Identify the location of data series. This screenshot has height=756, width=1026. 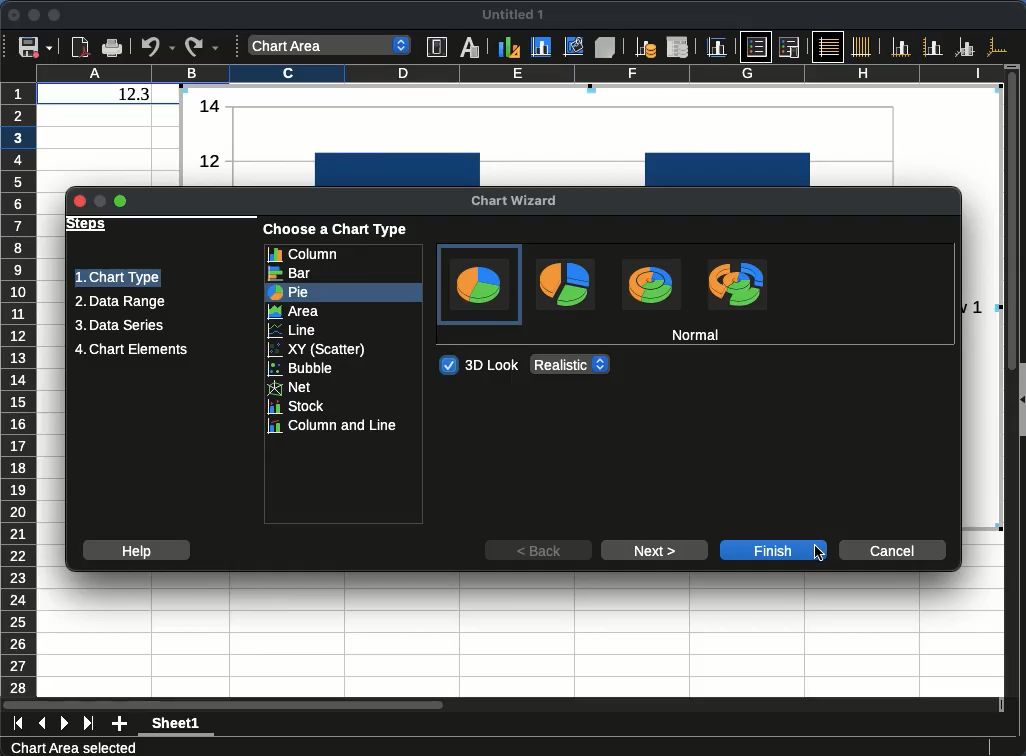
(119, 326).